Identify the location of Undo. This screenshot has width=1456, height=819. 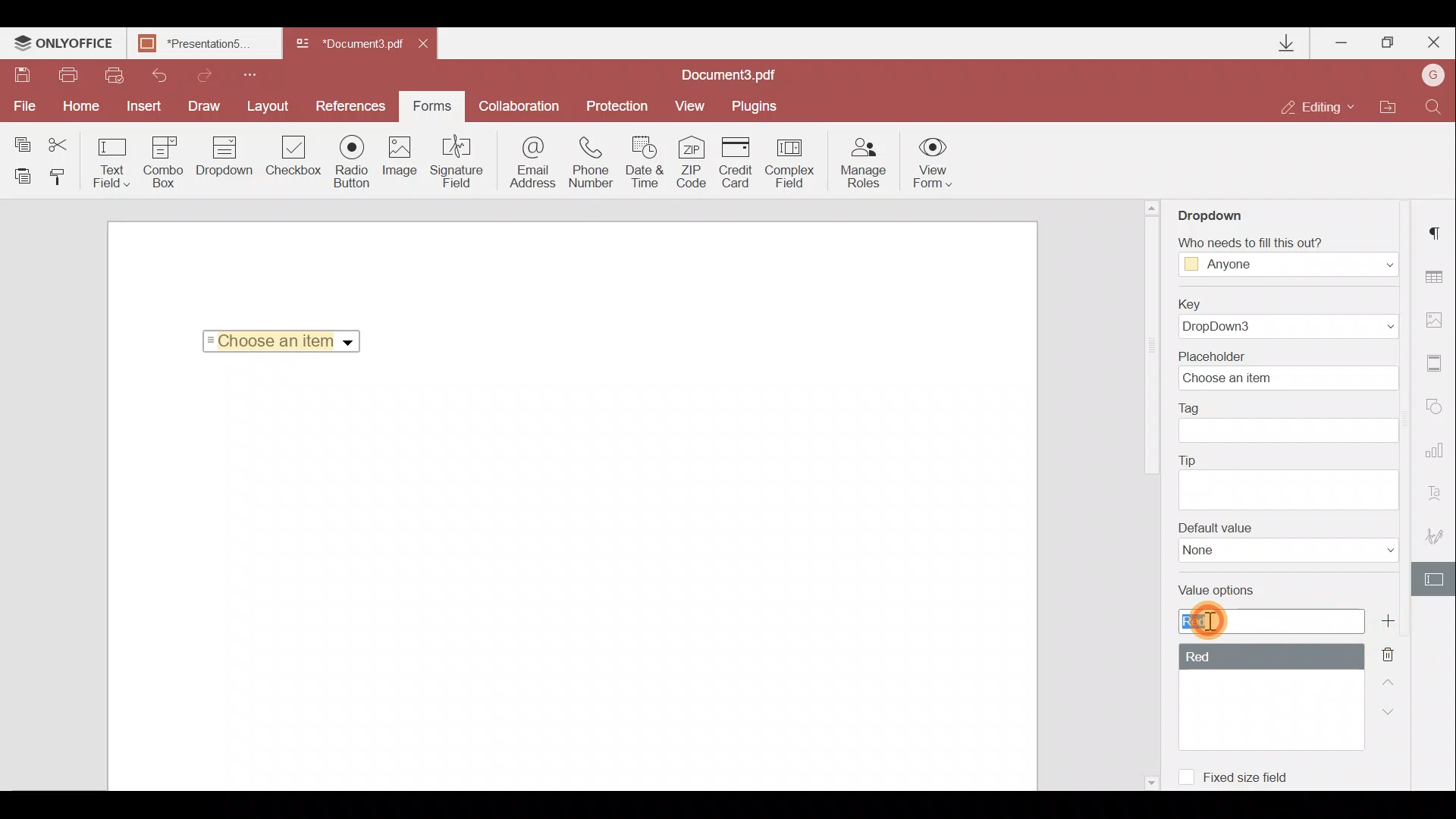
(158, 76).